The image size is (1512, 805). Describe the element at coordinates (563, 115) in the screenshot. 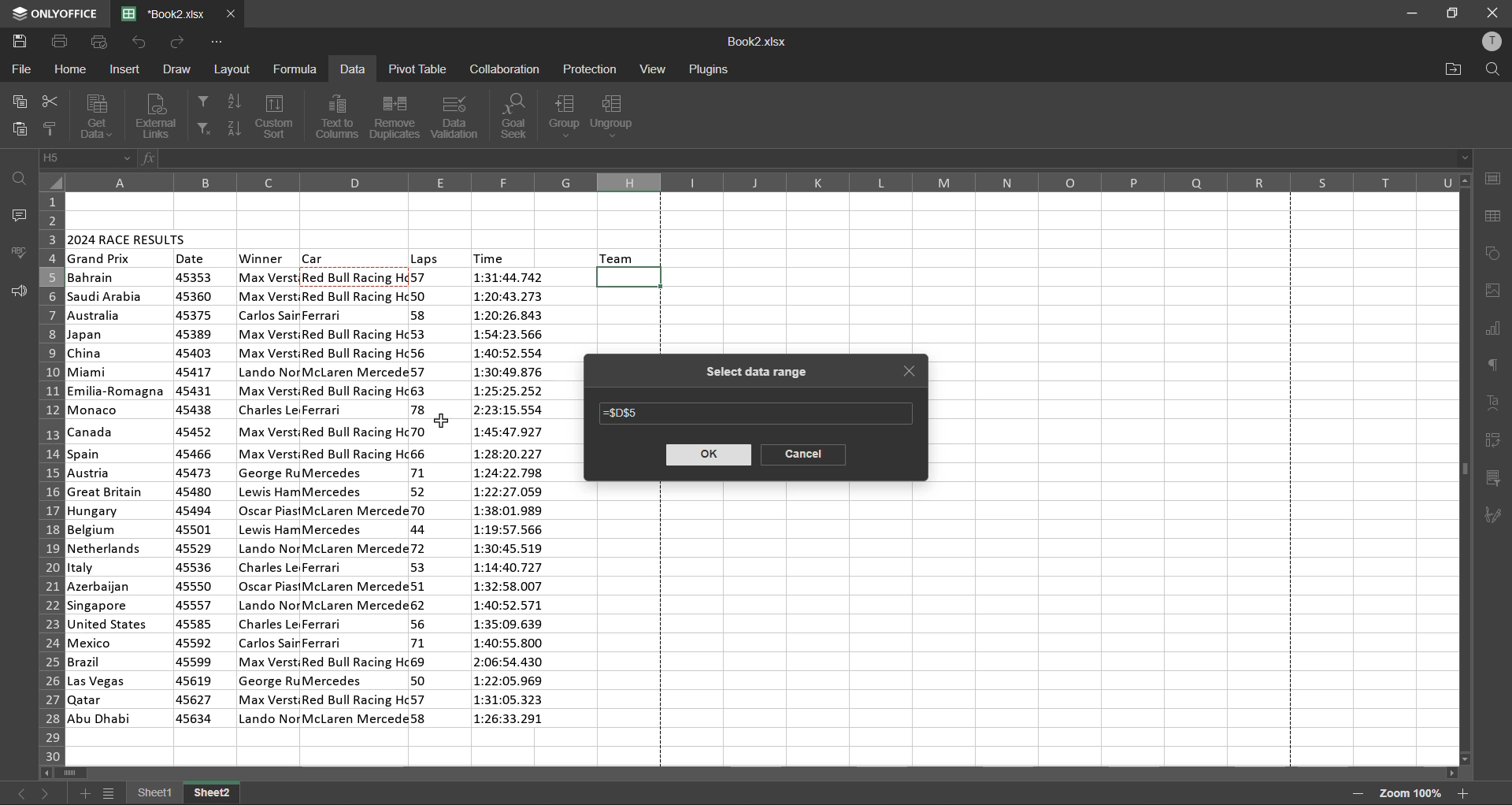

I see `group` at that location.